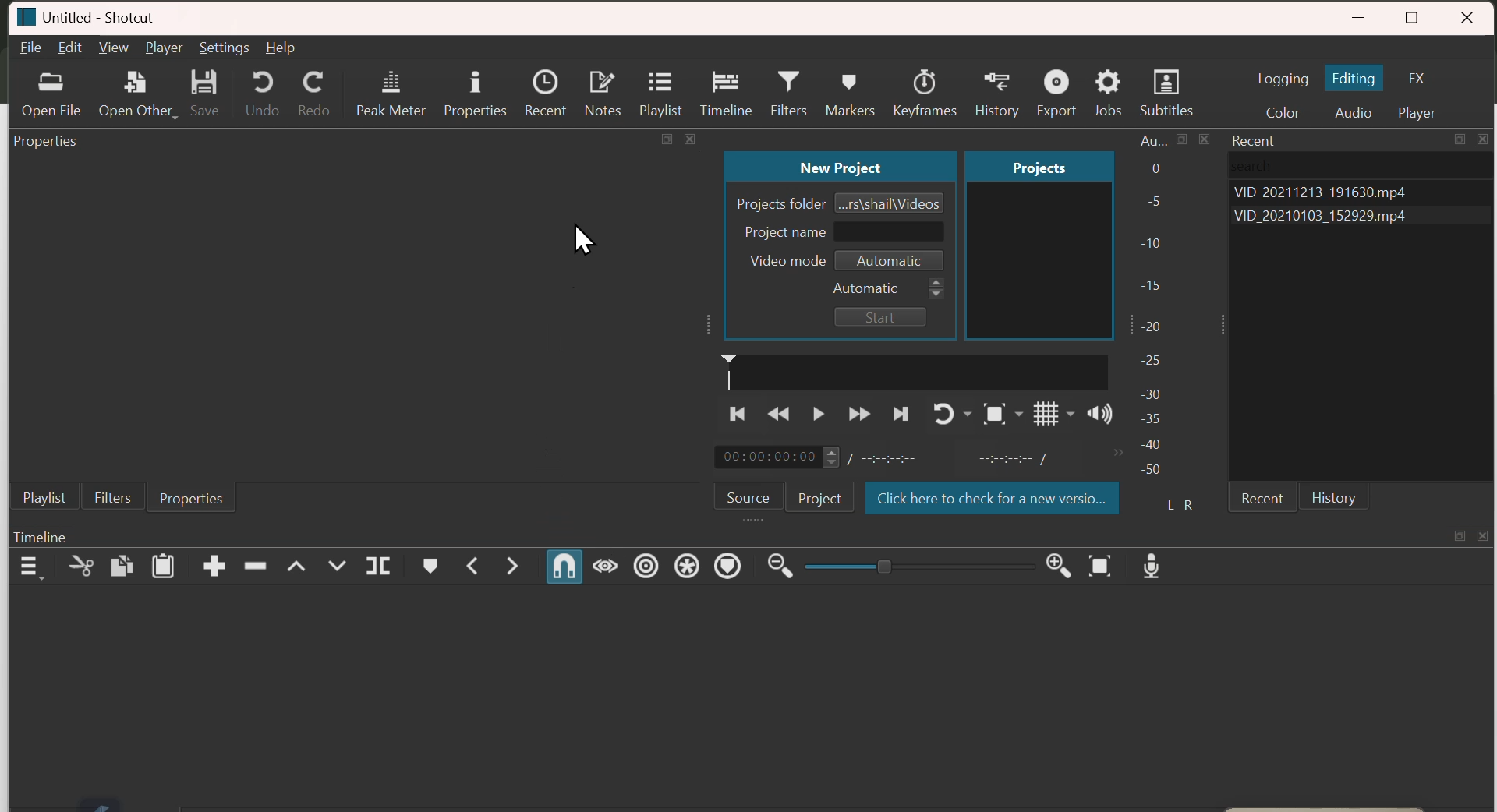  I want to click on Properties, so click(194, 497).